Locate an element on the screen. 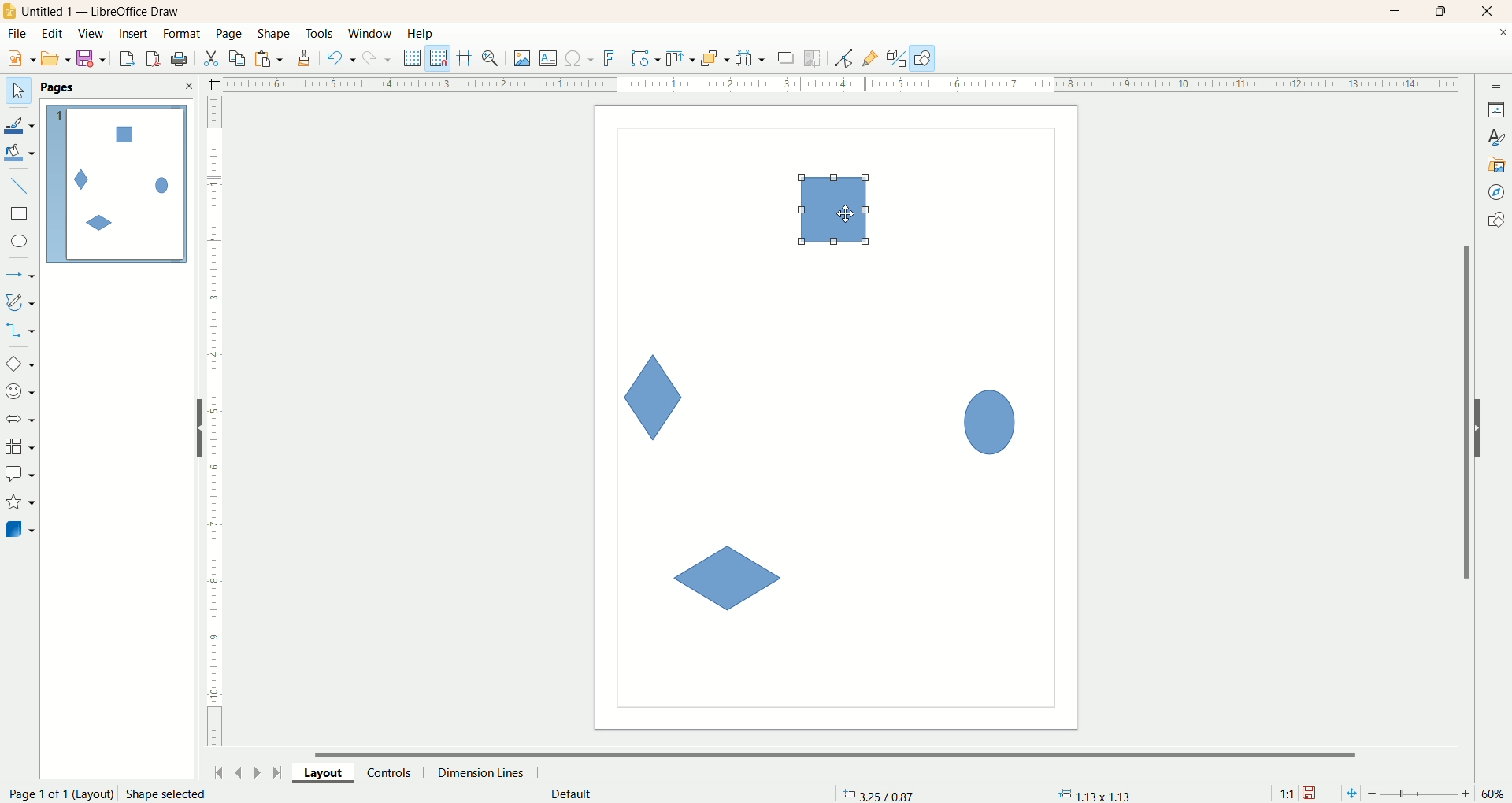  copy is located at coordinates (238, 58).